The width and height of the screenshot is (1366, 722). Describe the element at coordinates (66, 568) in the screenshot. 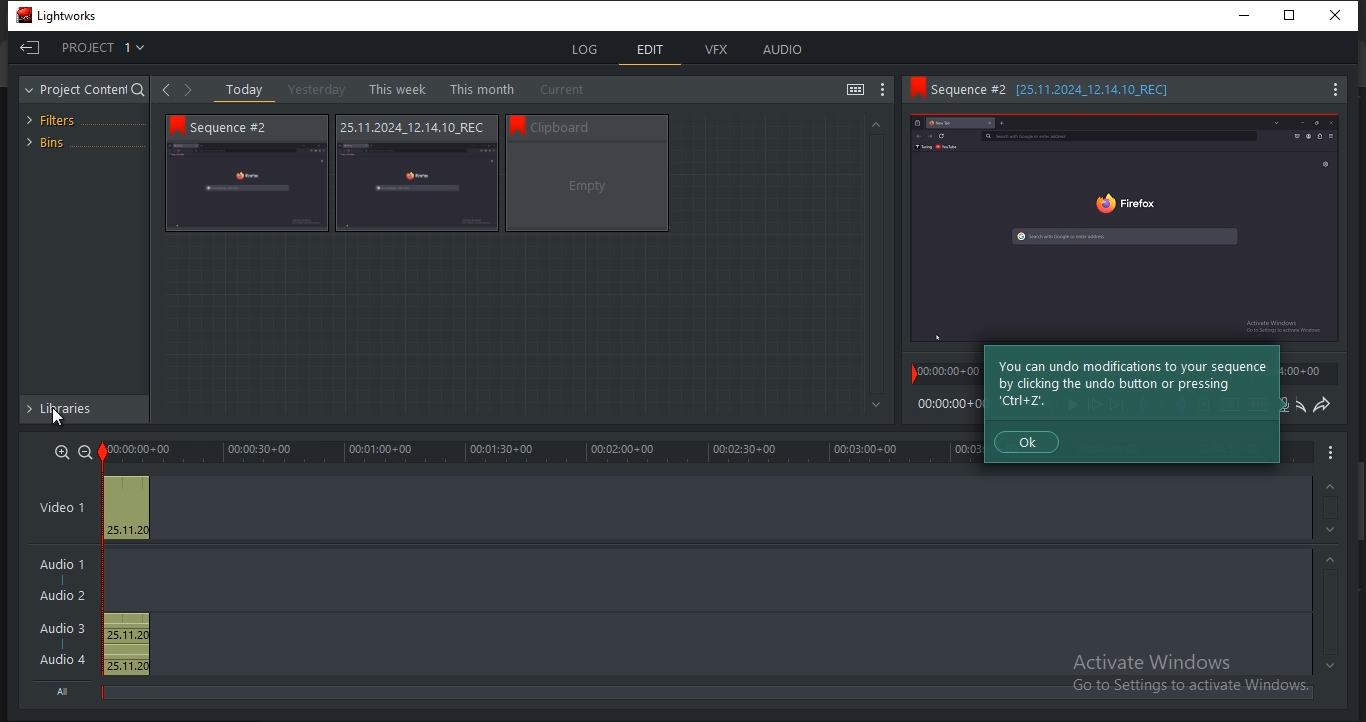

I see `Audio 1` at that location.